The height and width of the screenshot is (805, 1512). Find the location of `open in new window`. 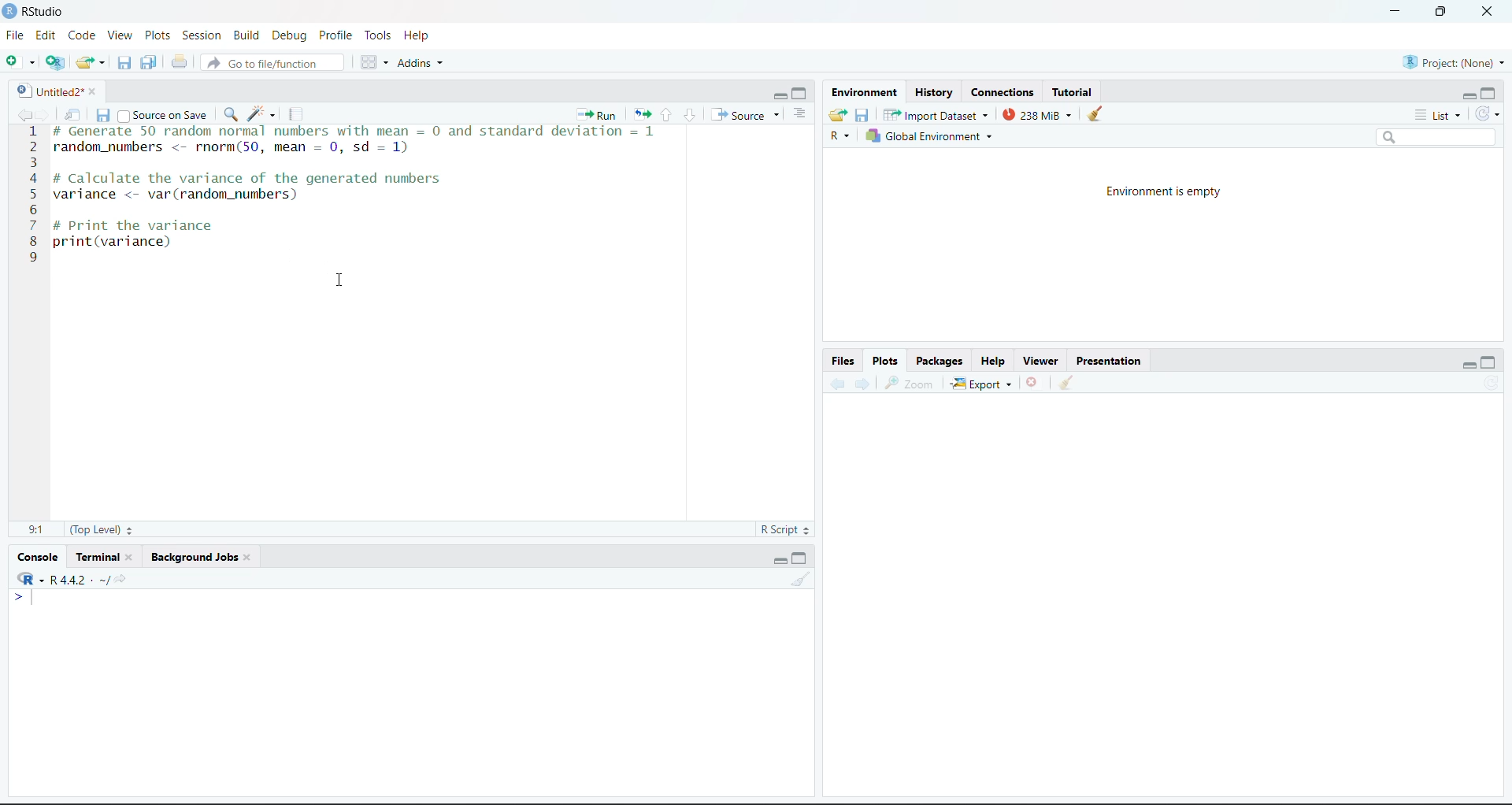

open in new window is located at coordinates (73, 114).